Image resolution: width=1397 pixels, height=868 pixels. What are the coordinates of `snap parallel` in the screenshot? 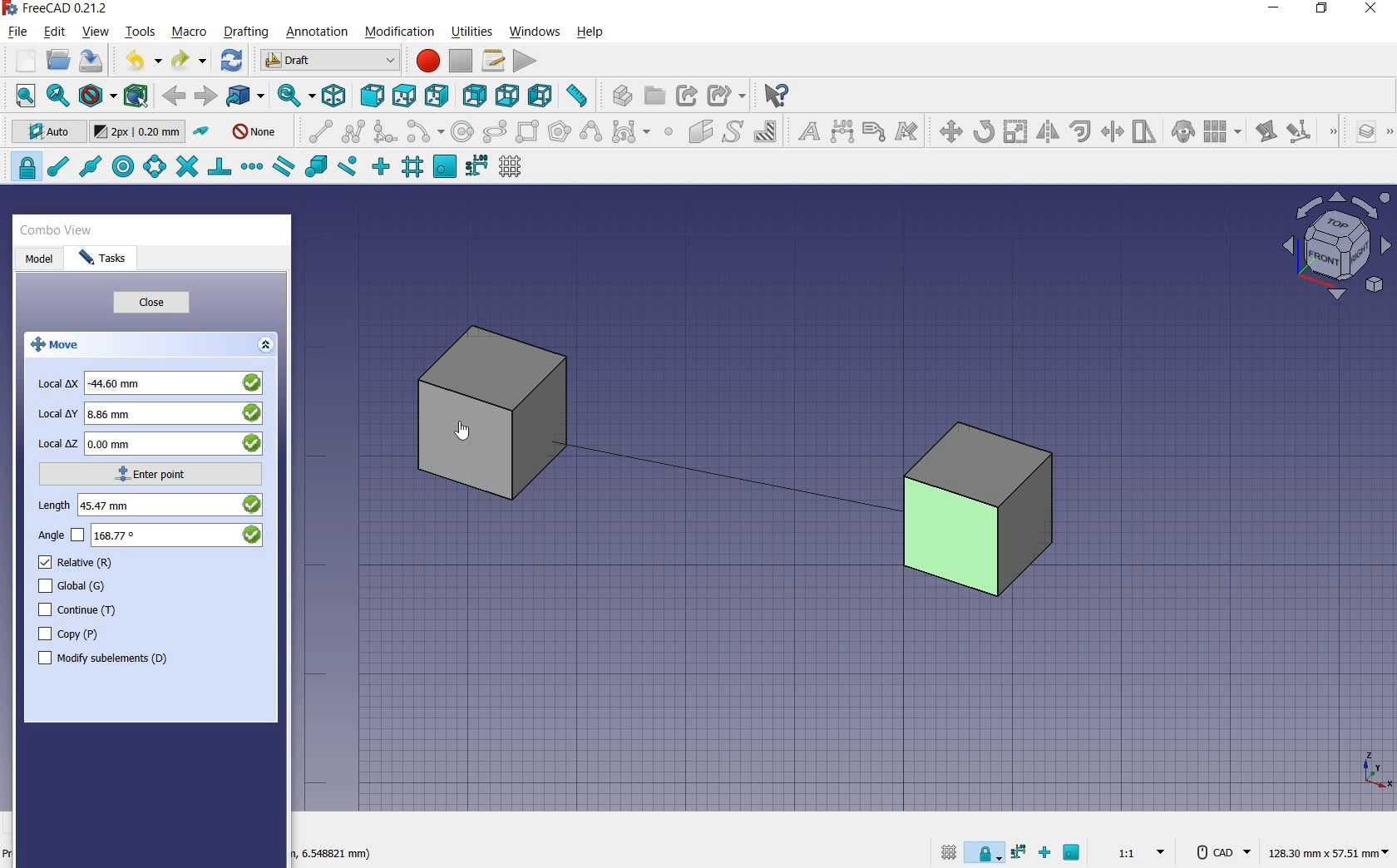 It's located at (284, 169).